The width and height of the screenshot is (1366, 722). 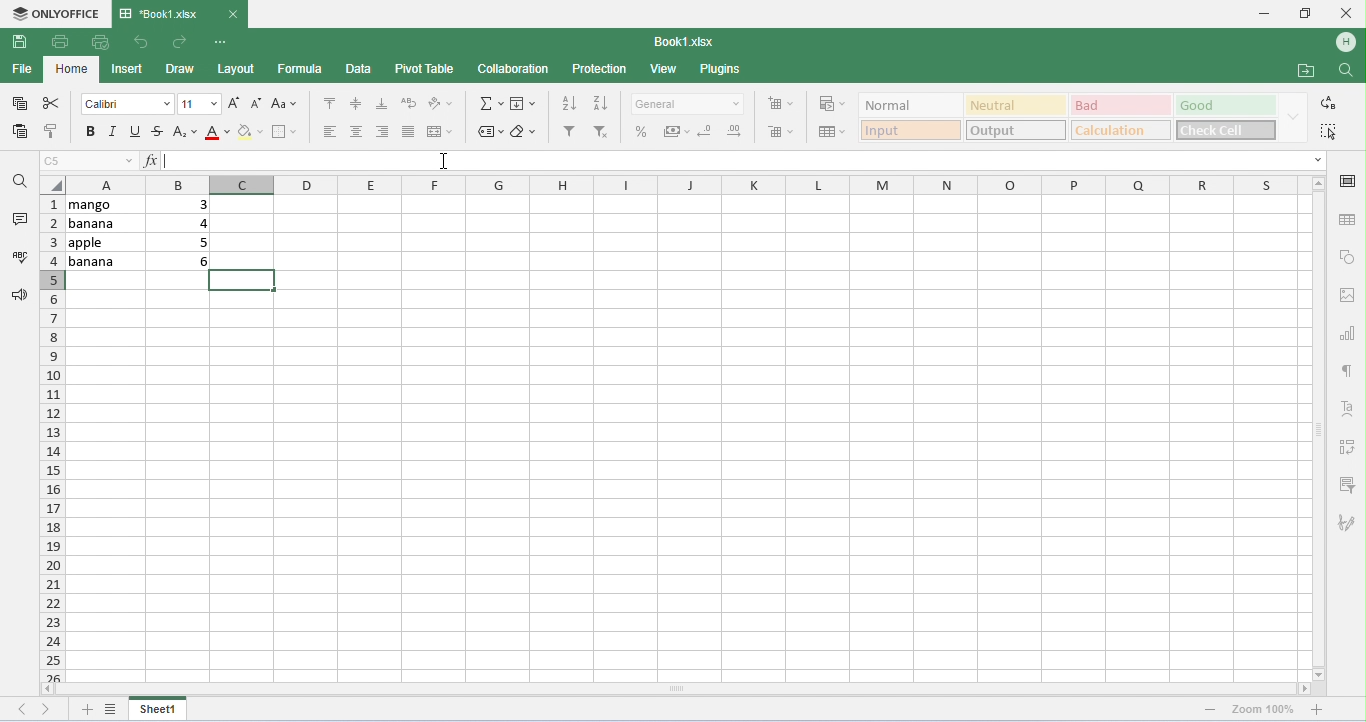 What do you see at coordinates (287, 131) in the screenshot?
I see `border` at bounding box center [287, 131].